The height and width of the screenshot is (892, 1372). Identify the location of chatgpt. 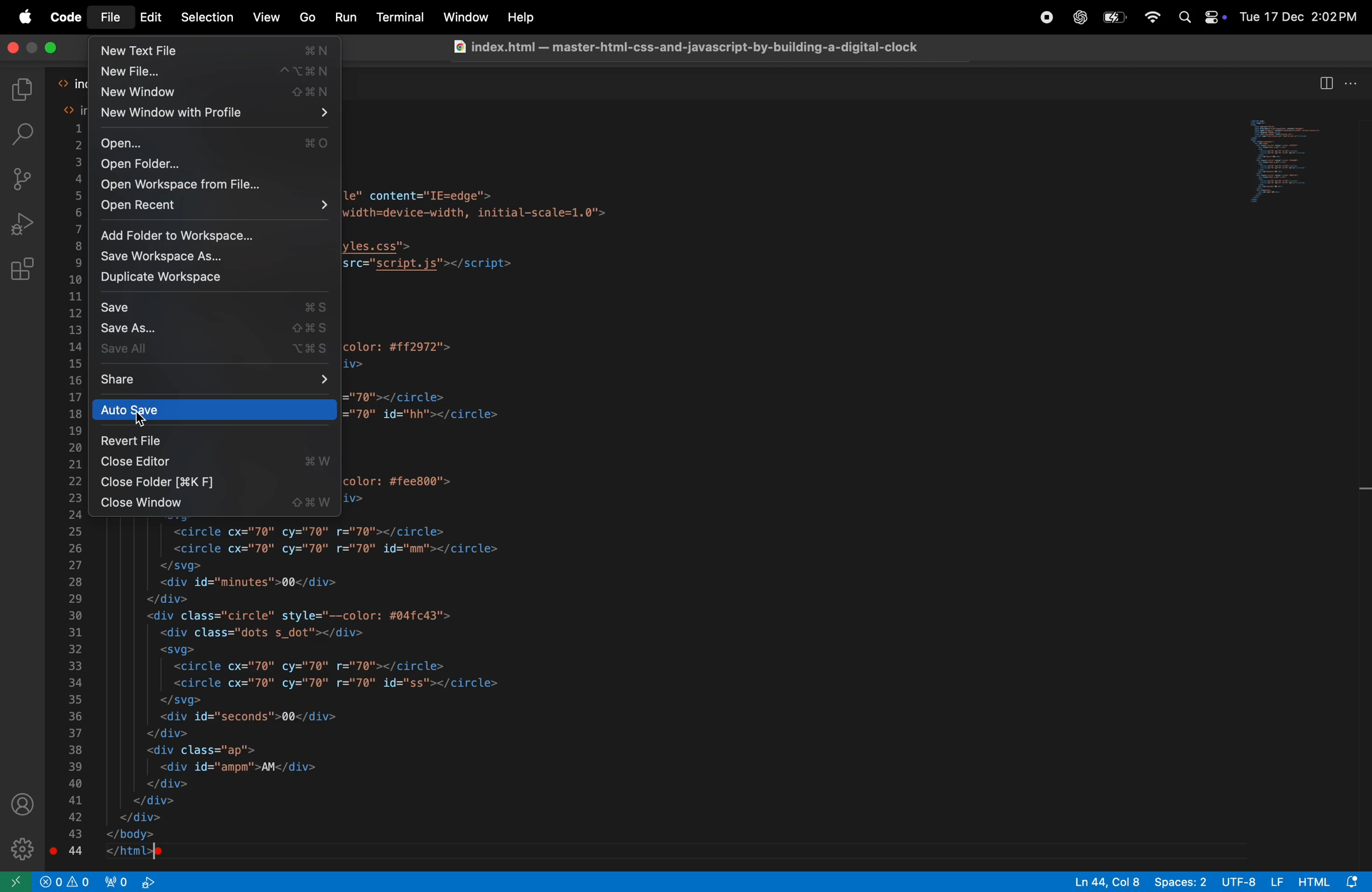
(1076, 17).